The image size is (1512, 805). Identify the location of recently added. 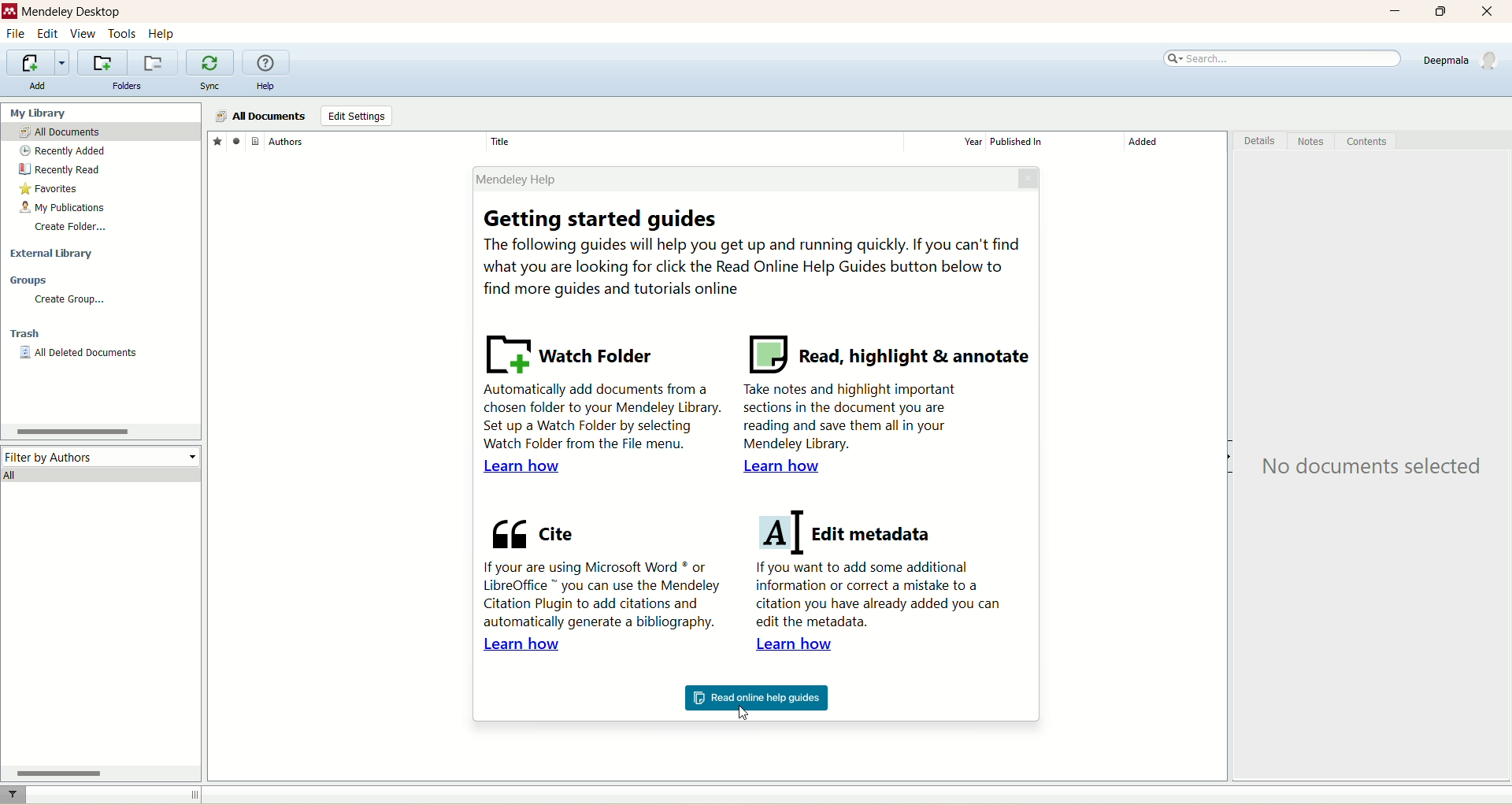
(62, 152).